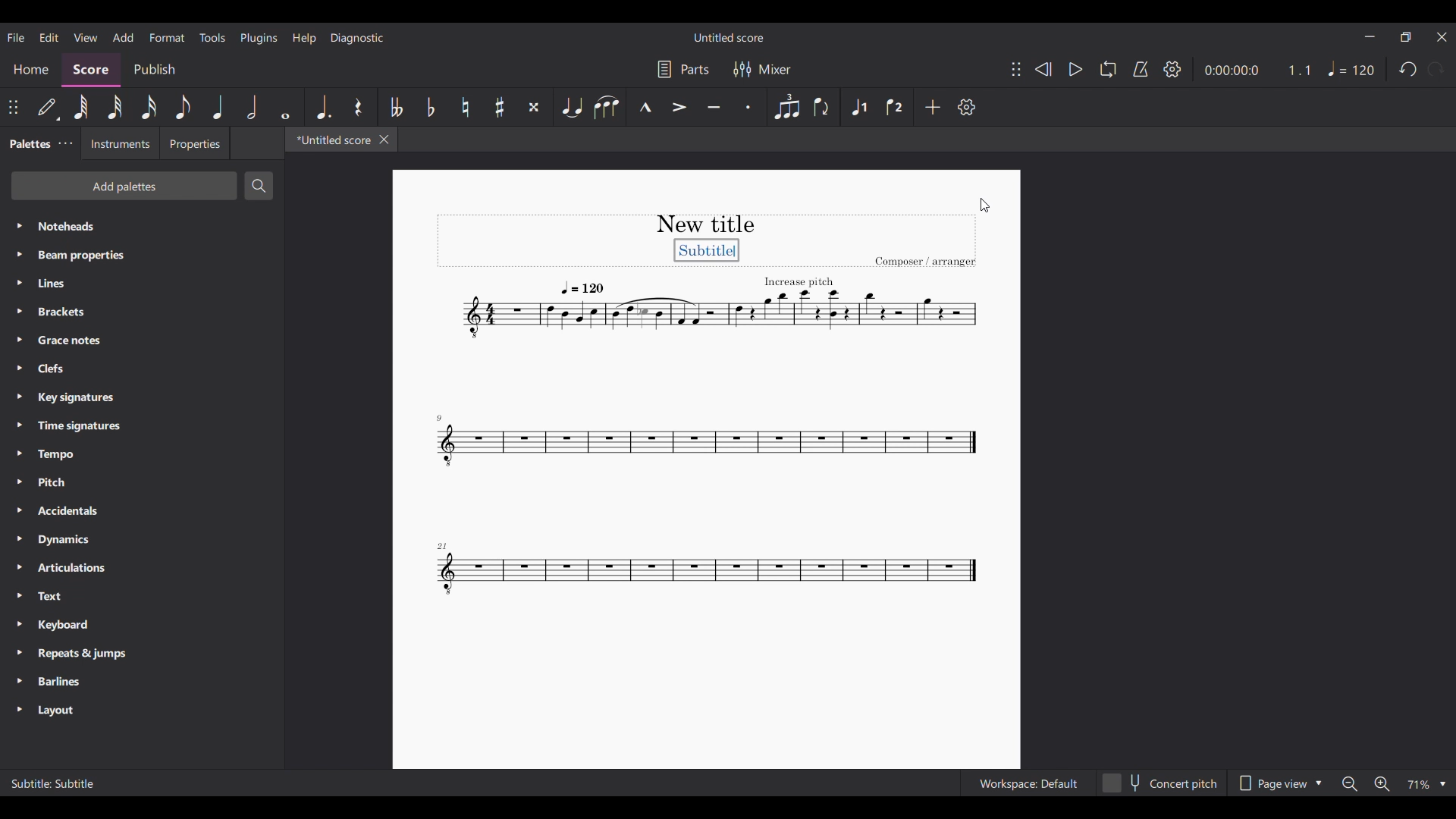 The image size is (1456, 819). What do you see at coordinates (80, 107) in the screenshot?
I see `64th note` at bounding box center [80, 107].